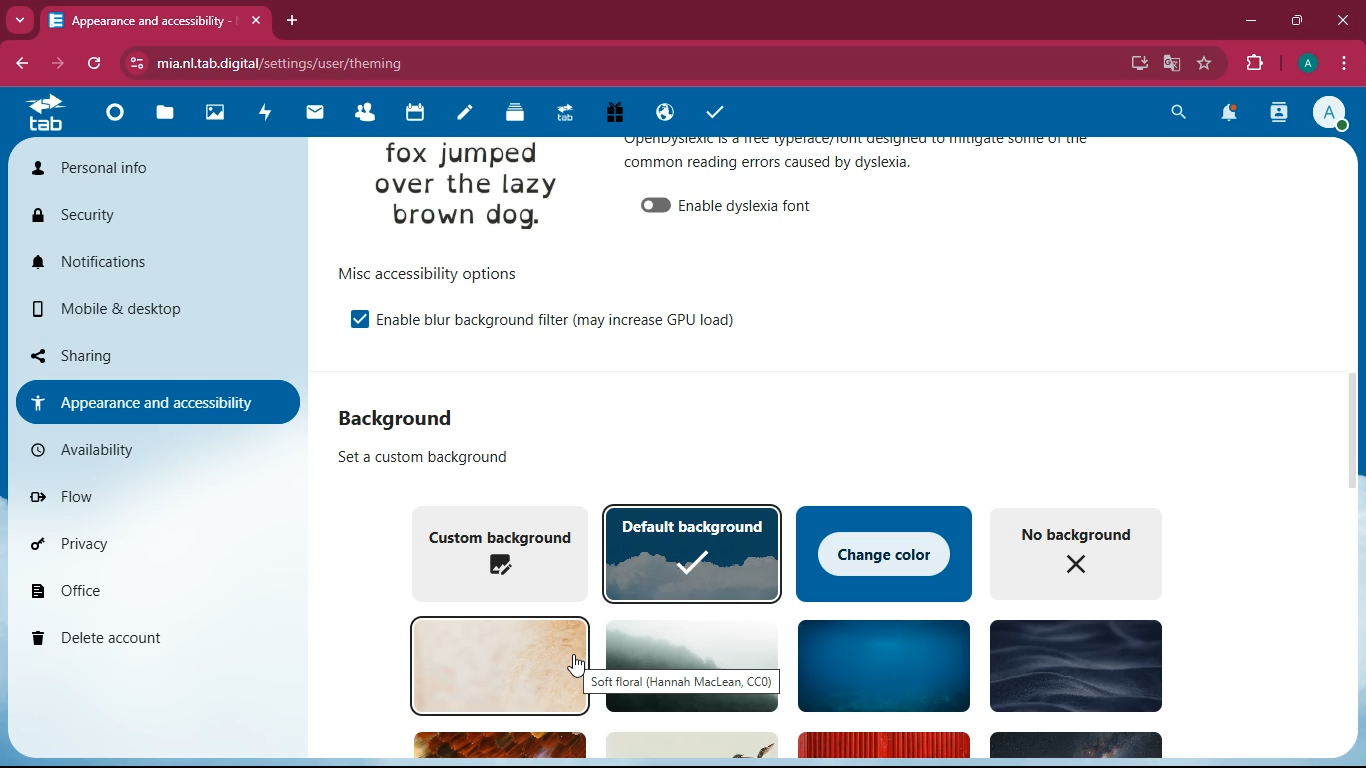  I want to click on , so click(497, 744).